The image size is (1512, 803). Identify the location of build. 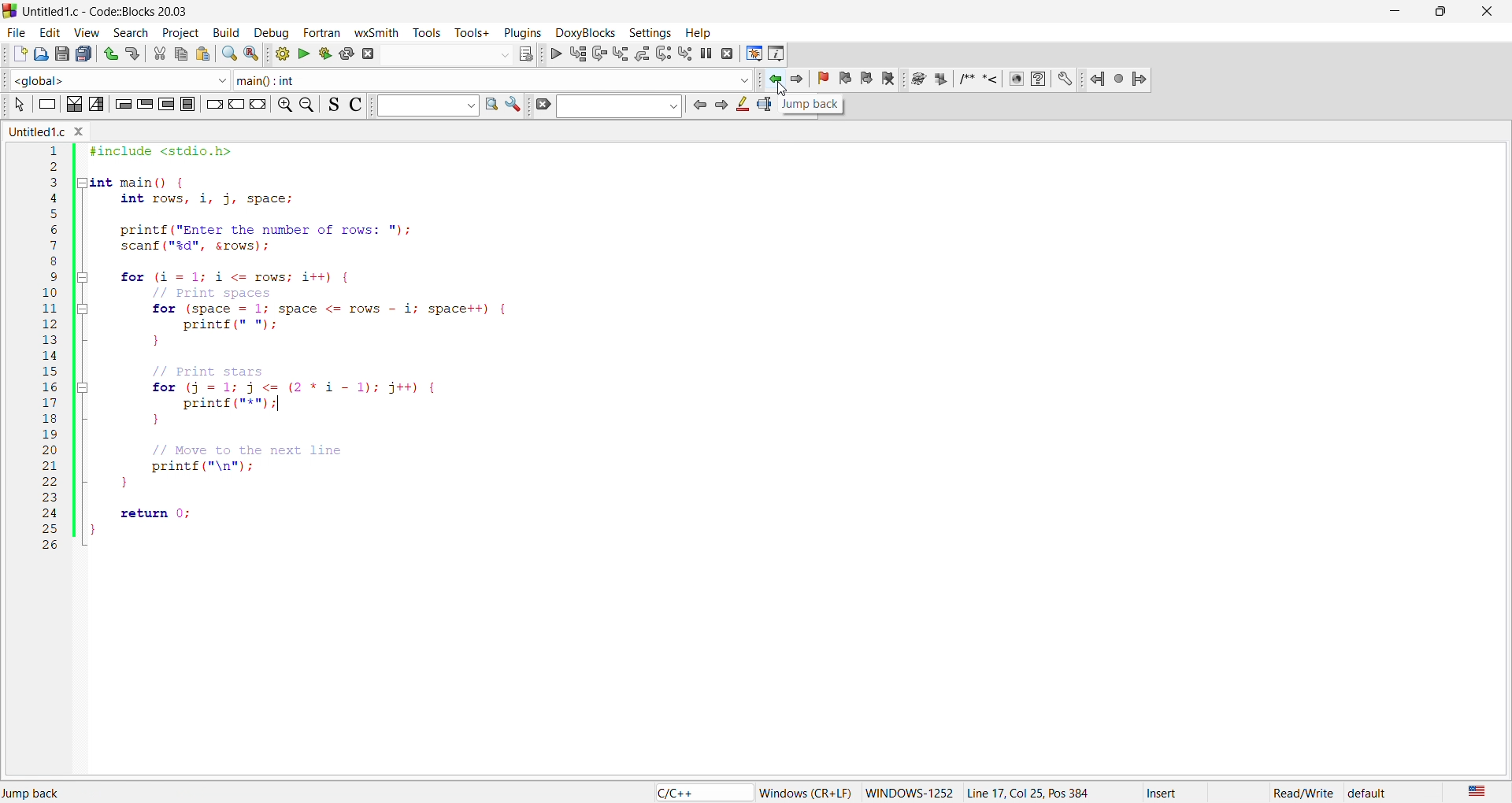
(225, 31).